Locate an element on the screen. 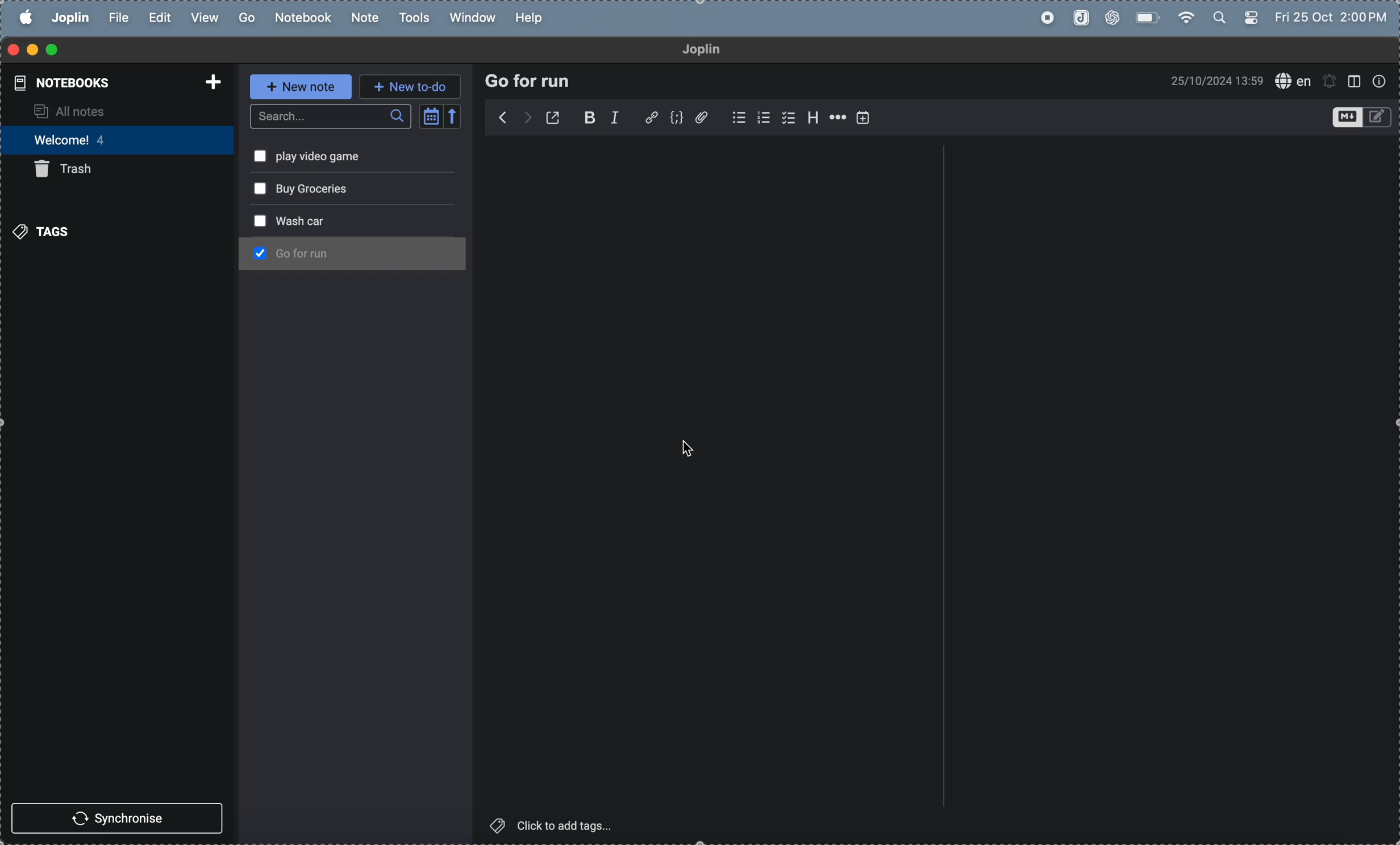 The height and width of the screenshot is (845, 1400).  is located at coordinates (591, 119).